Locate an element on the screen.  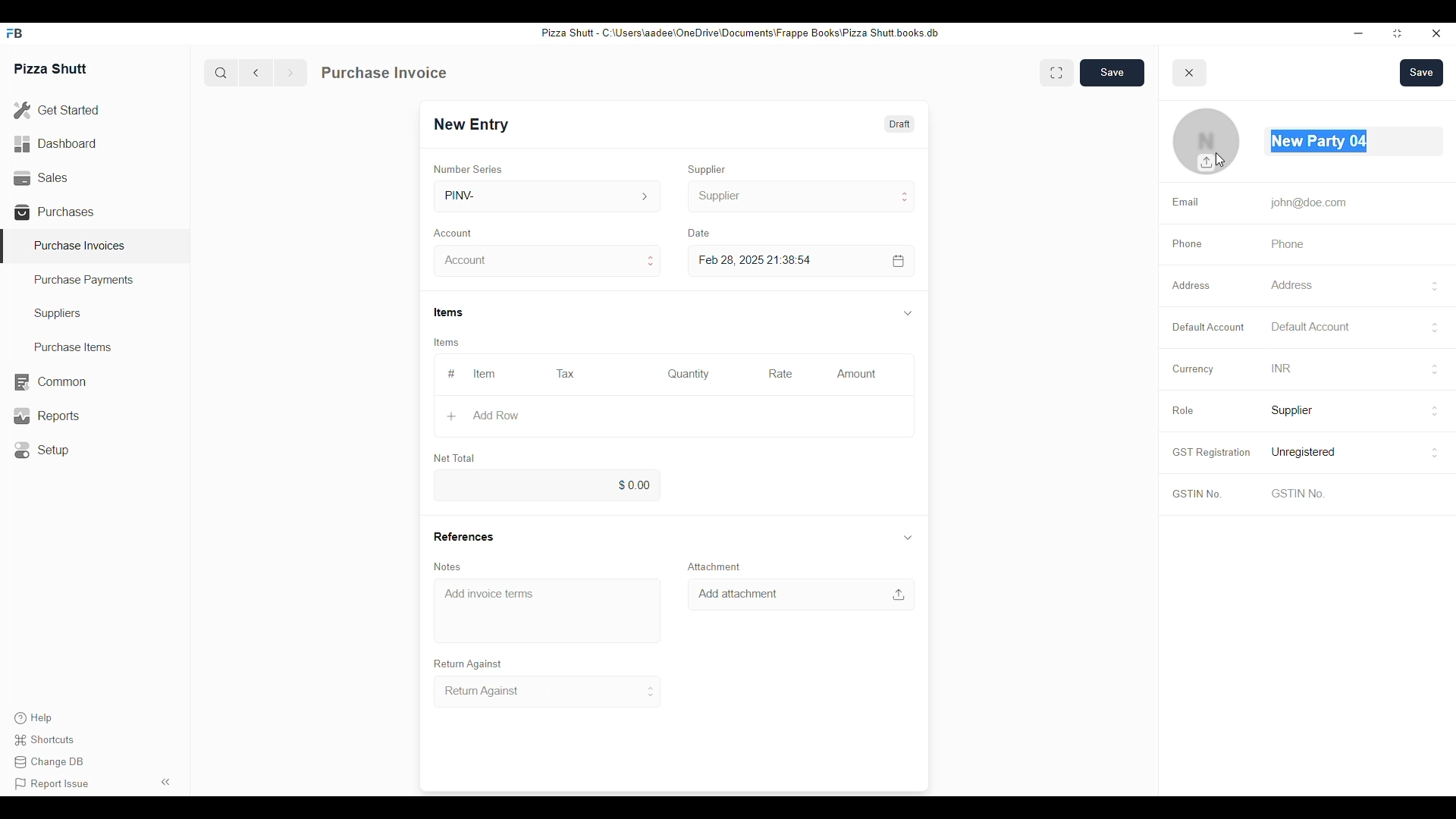
buttons is located at coordinates (1433, 453).